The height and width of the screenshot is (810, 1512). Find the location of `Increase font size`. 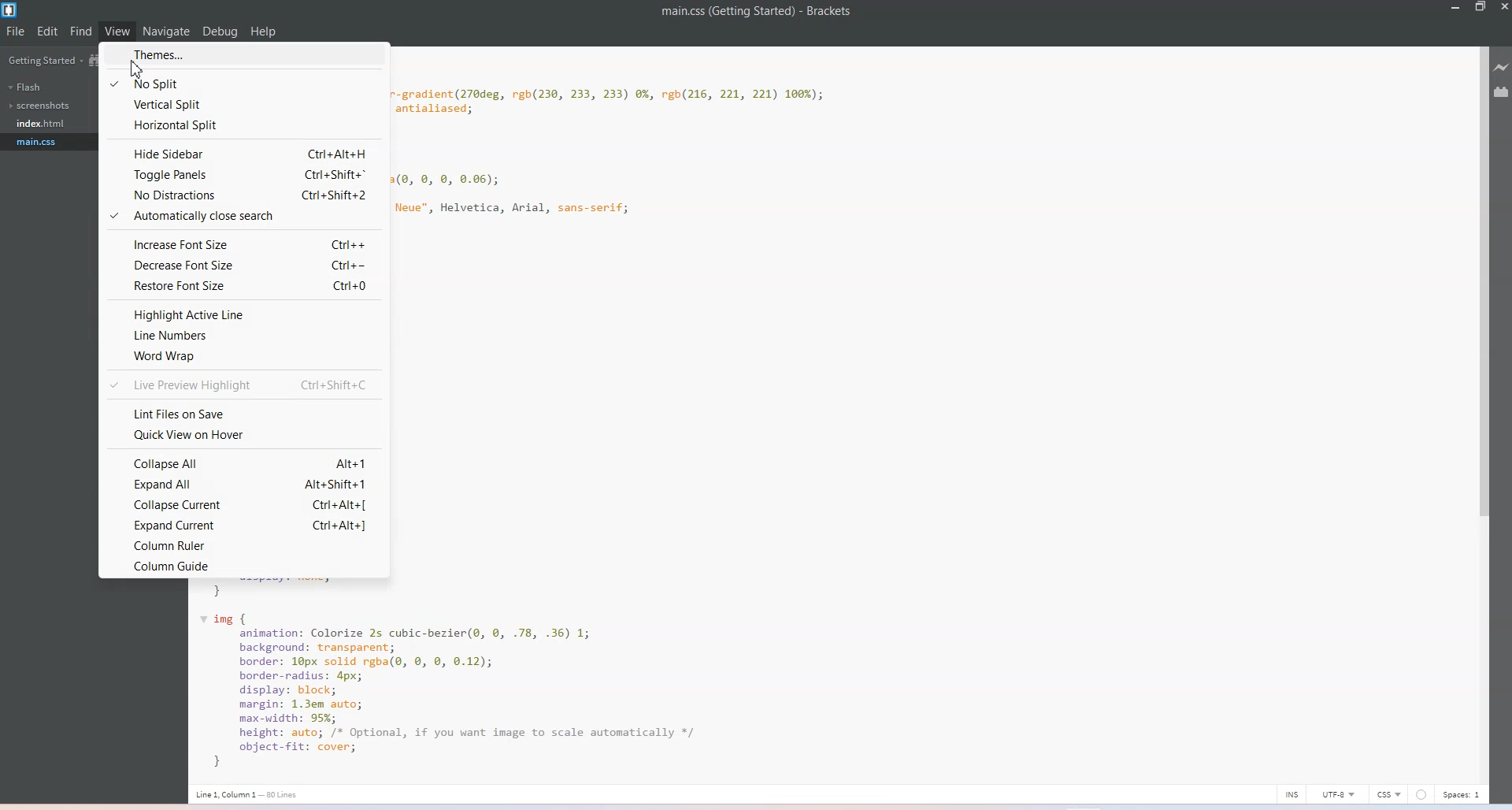

Increase font size is located at coordinates (243, 243).